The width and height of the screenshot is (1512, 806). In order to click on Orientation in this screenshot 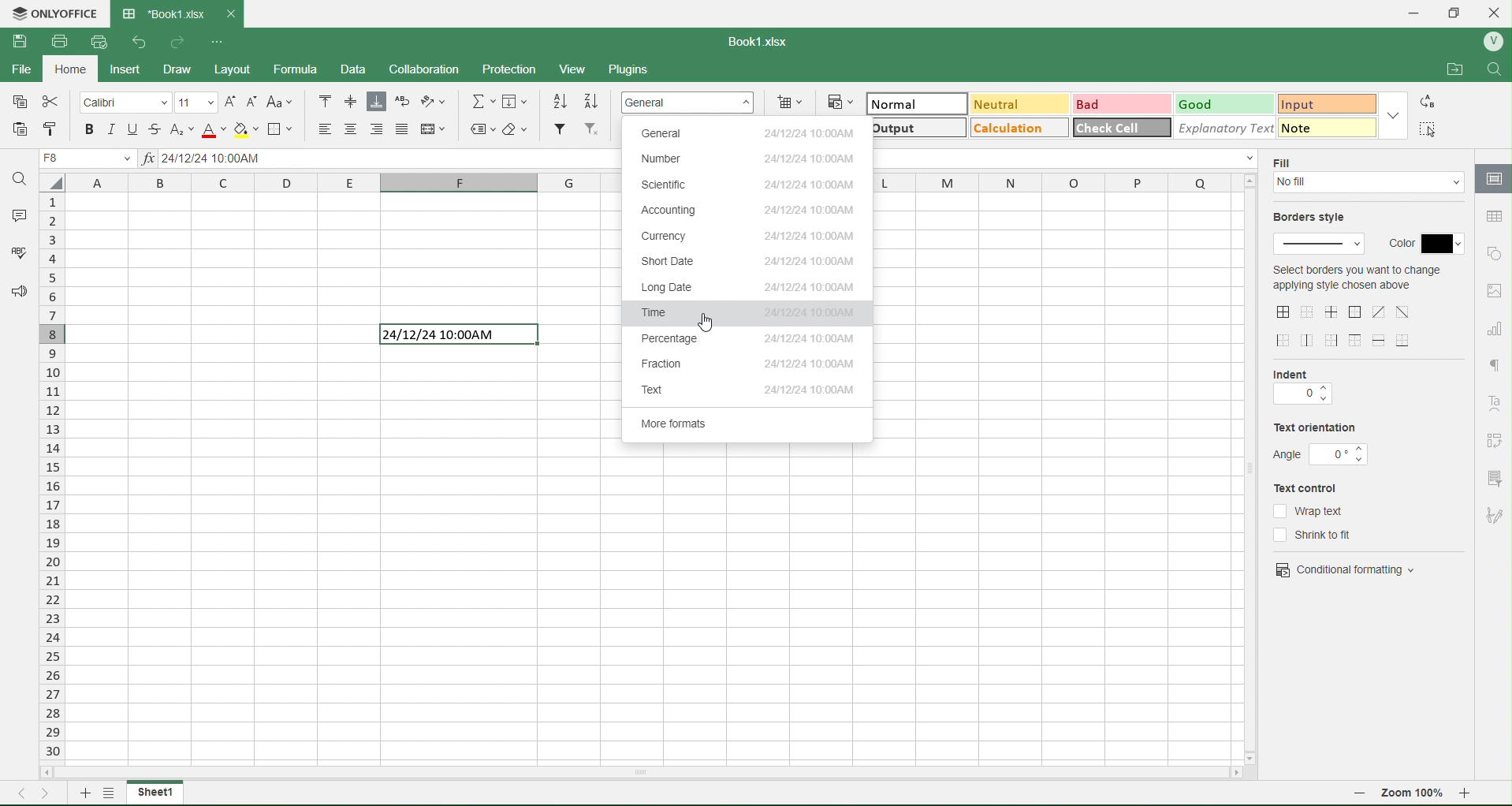, I will do `click(439, 103)`.